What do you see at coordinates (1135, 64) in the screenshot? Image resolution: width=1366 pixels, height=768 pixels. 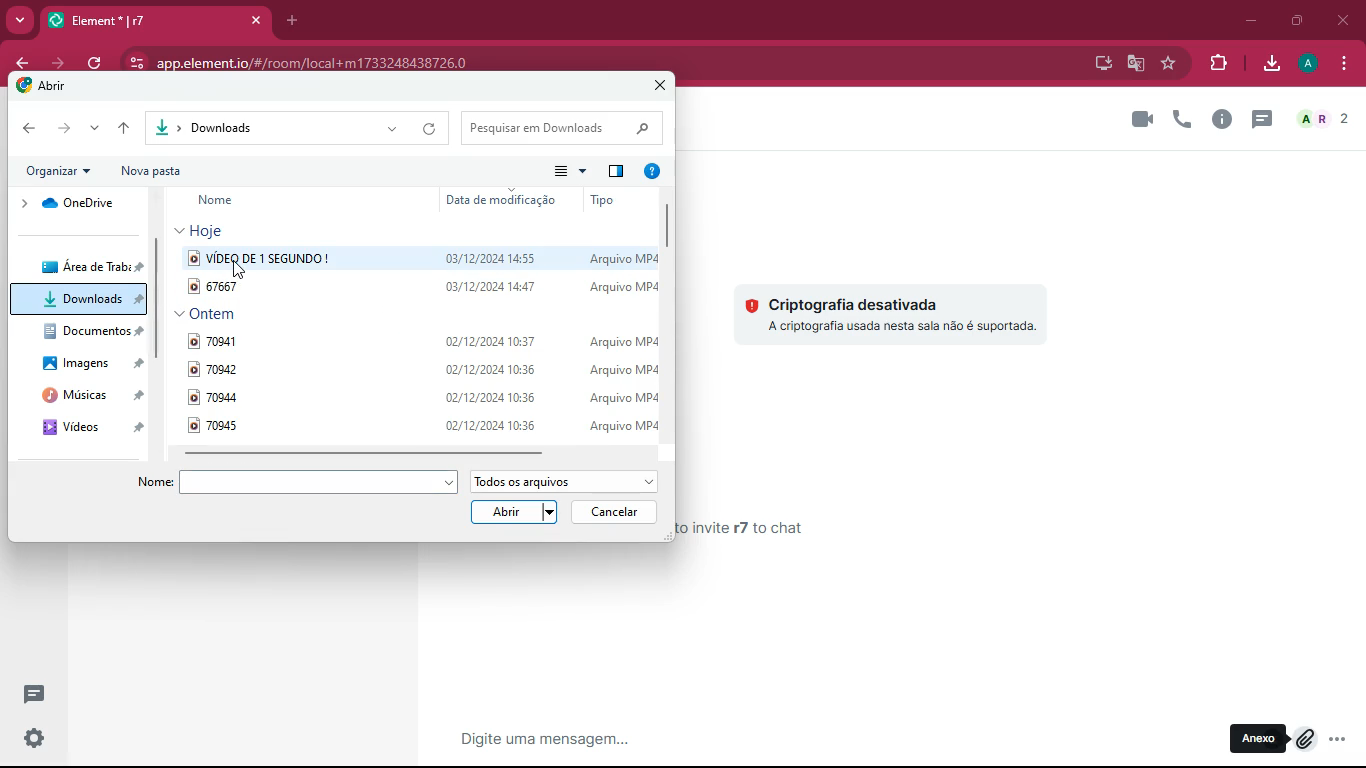 I see `google translate` at bounding box center [1135, 64].